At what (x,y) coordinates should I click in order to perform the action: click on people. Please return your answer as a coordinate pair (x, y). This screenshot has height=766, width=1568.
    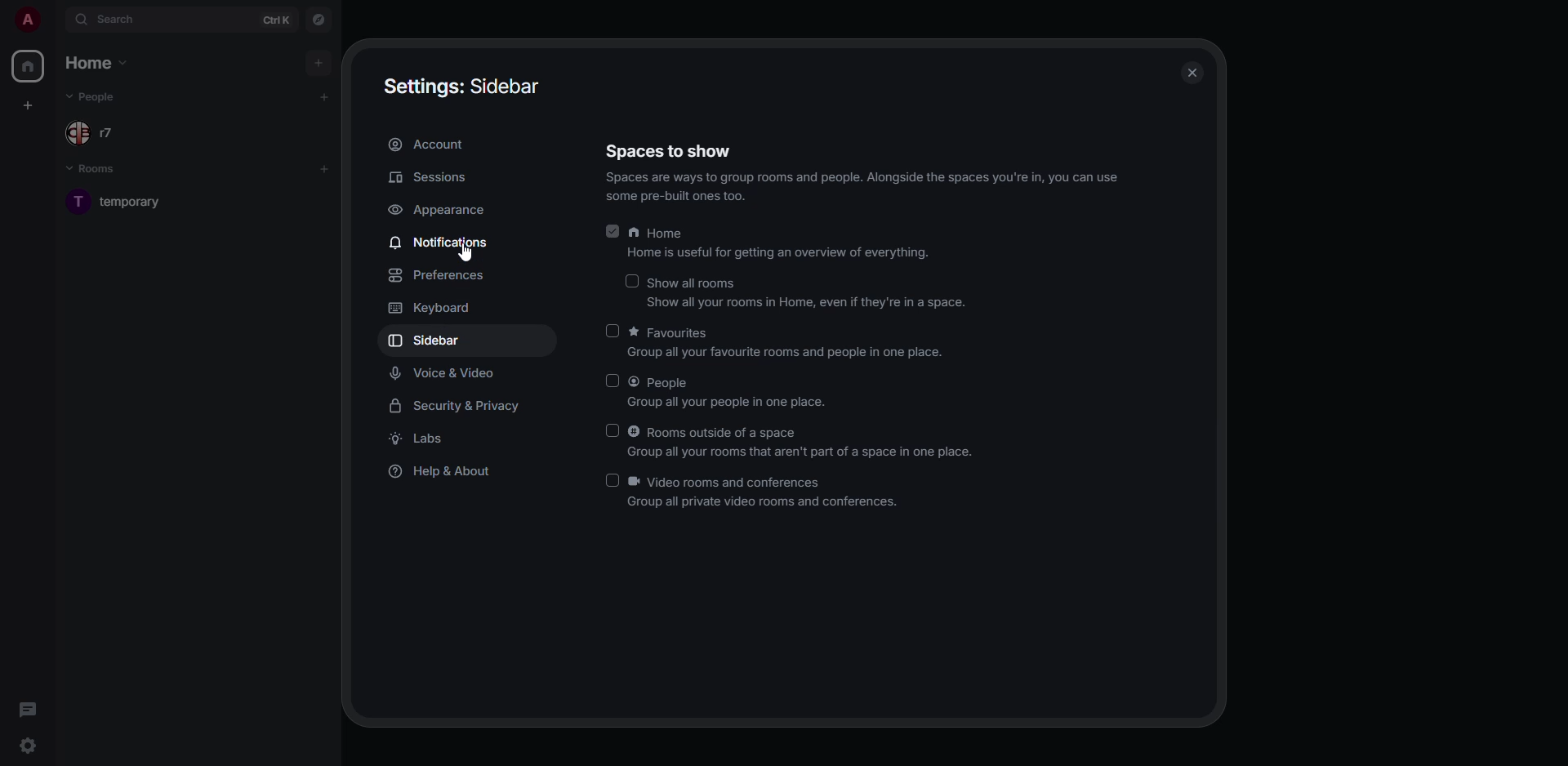
    Looking at the image, I should click on (732, 394).